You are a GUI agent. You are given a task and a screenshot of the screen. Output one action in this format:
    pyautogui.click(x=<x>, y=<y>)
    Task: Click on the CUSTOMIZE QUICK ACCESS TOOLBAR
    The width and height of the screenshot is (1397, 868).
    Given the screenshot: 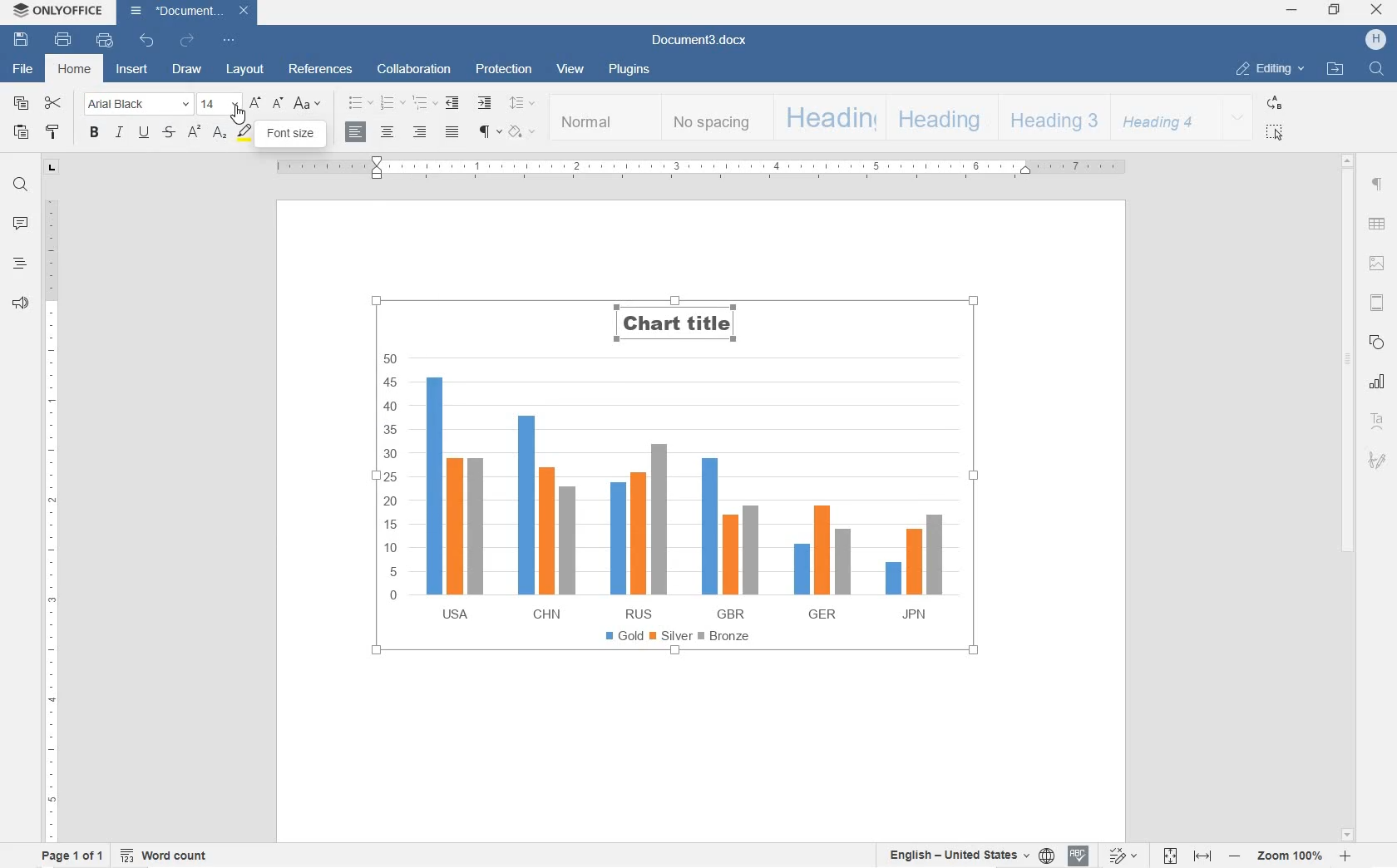 What is the action you would take?
    pyautogui.click(x=227, y=40)
    